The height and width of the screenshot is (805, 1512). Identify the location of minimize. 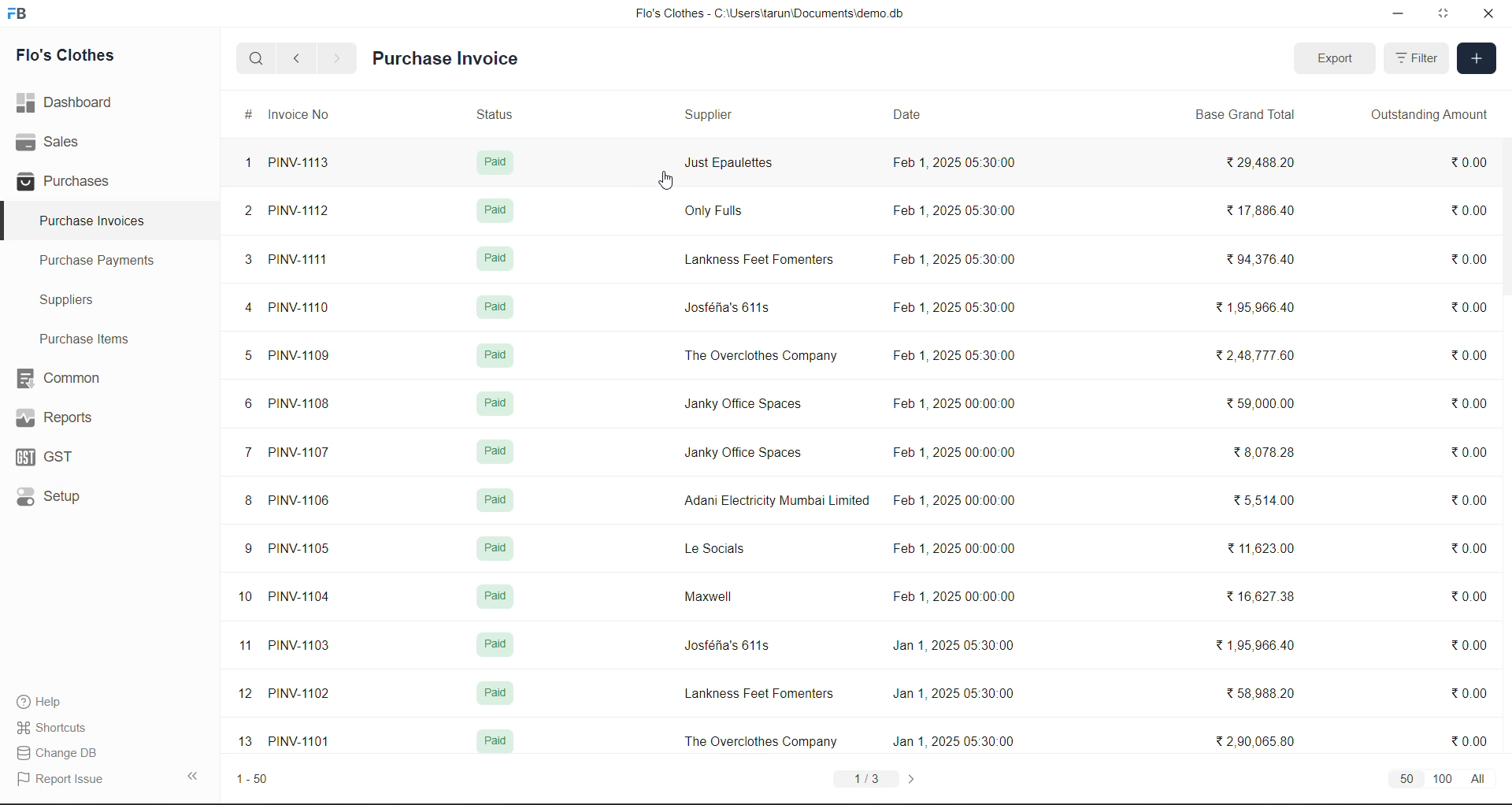
(1402, 13).